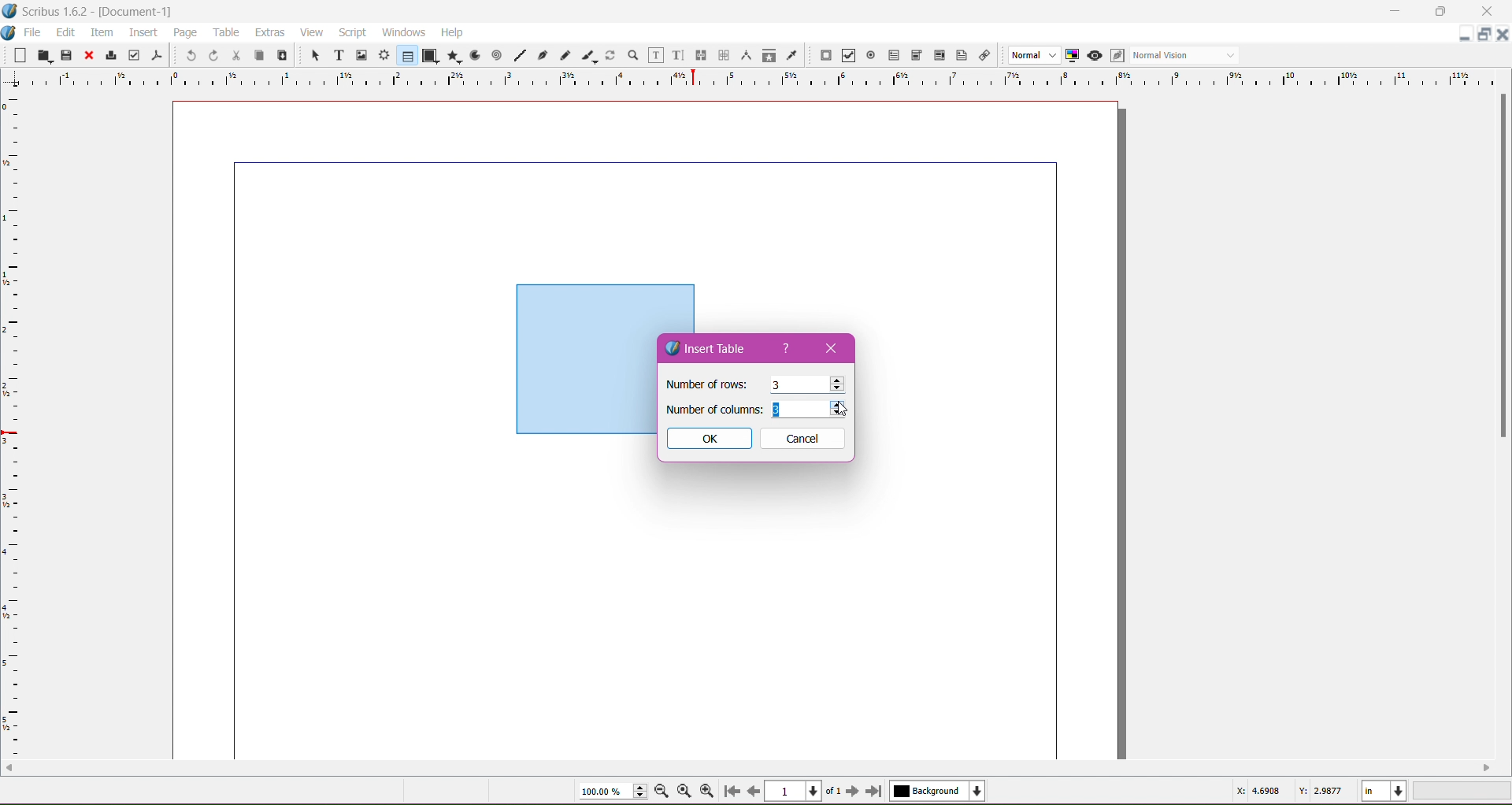 The image size is (1512, 805). What do you see at coordinates (722, 57) in the screenshot?
I see `Unlink Text Frames` at bounding box center [722, 57].